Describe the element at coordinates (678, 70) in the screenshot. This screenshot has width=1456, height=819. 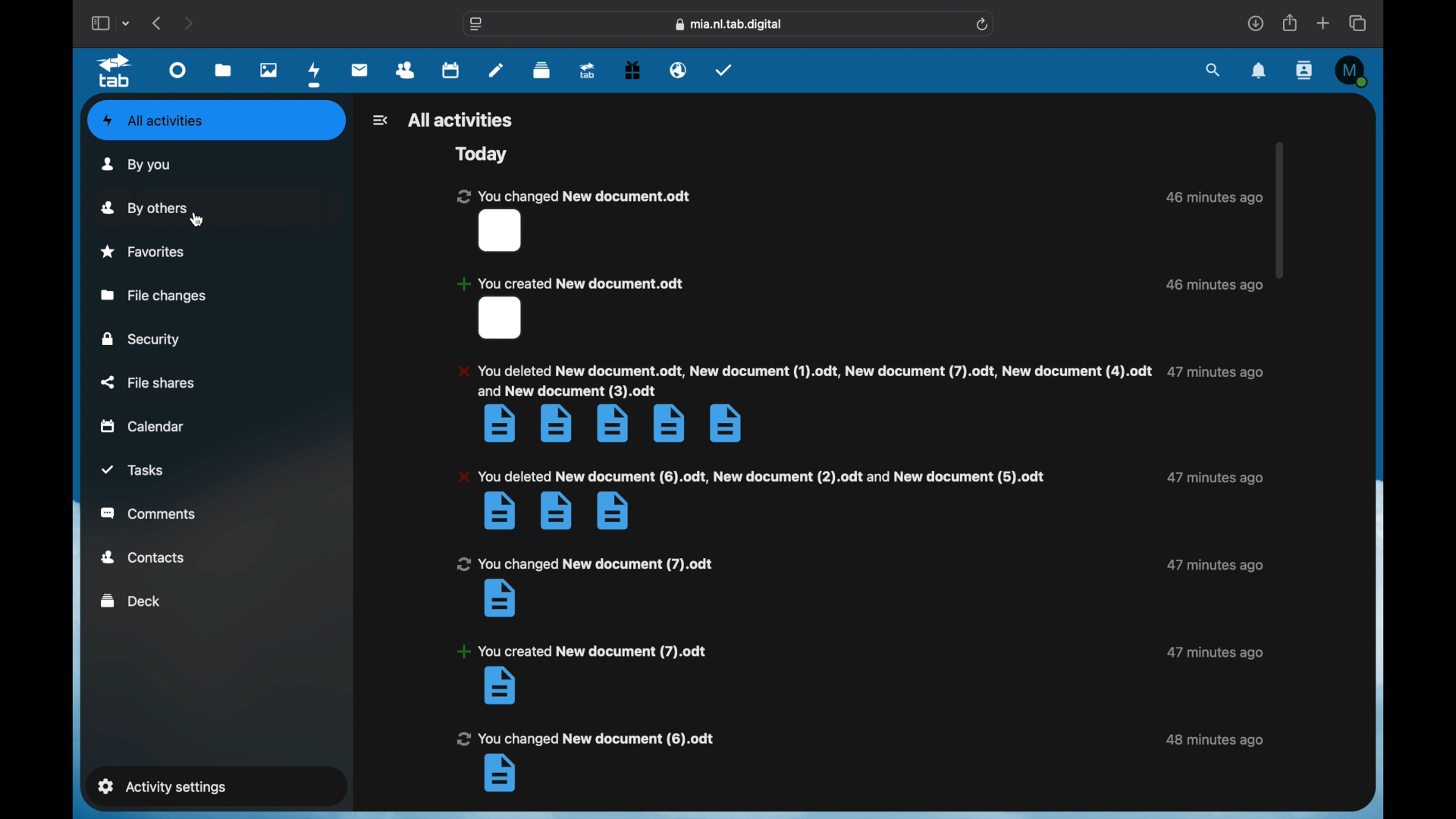
I see `email` at that location.